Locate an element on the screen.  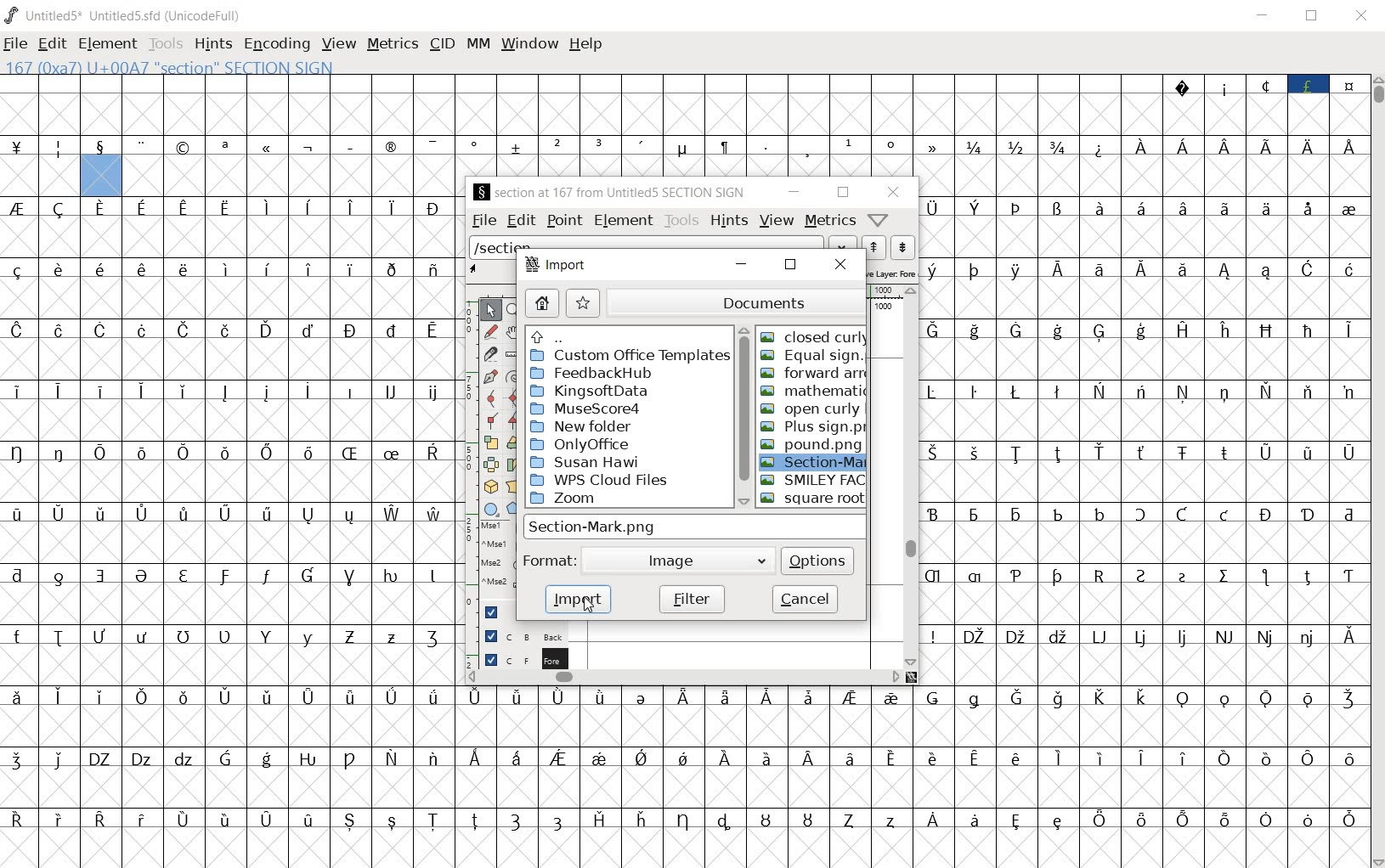
MATHEMATIC.. is located at coordinates (816, 392).